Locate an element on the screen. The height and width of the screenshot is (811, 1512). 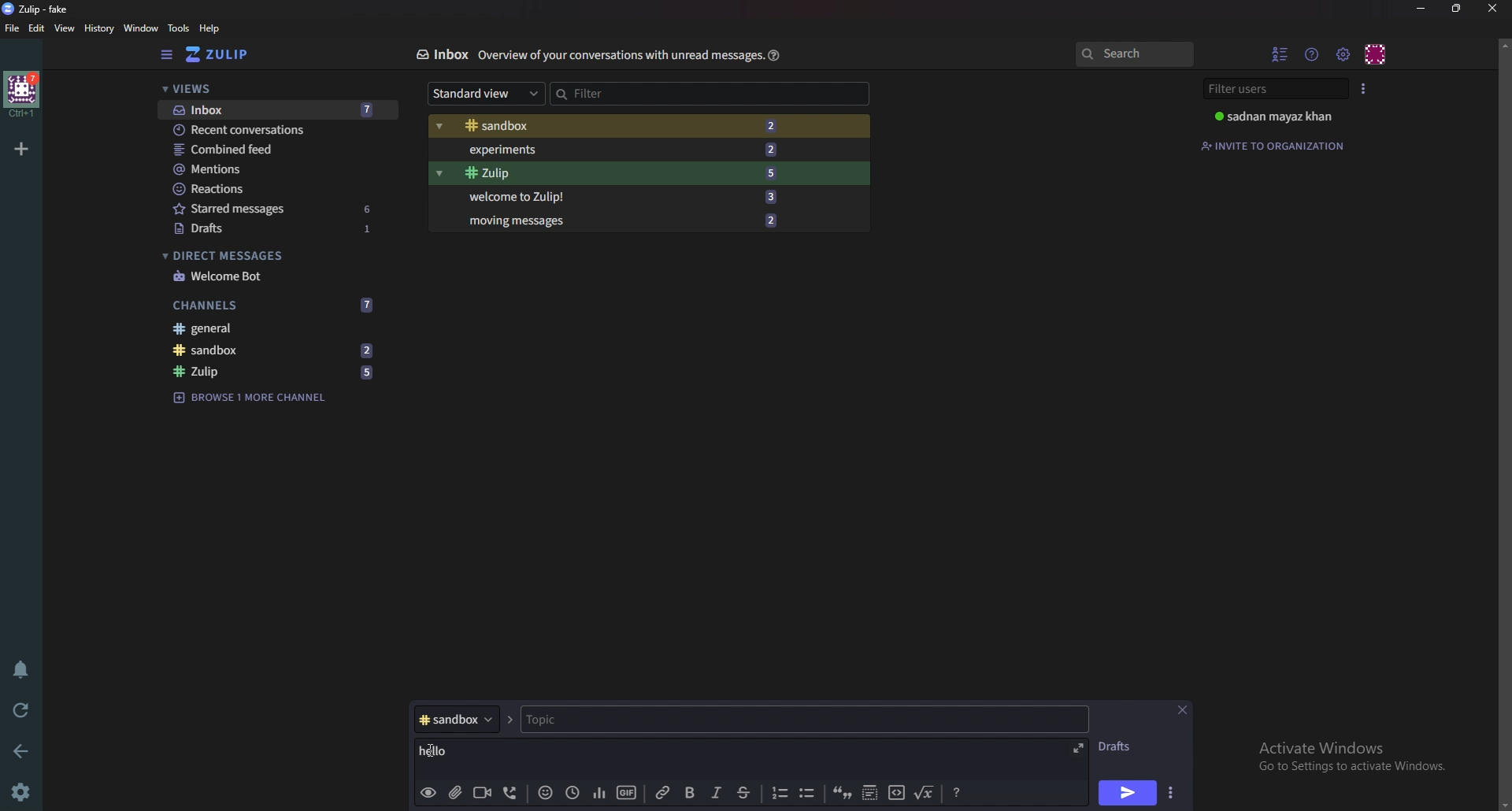
scroll bar is located at coordinates (1504, 423).